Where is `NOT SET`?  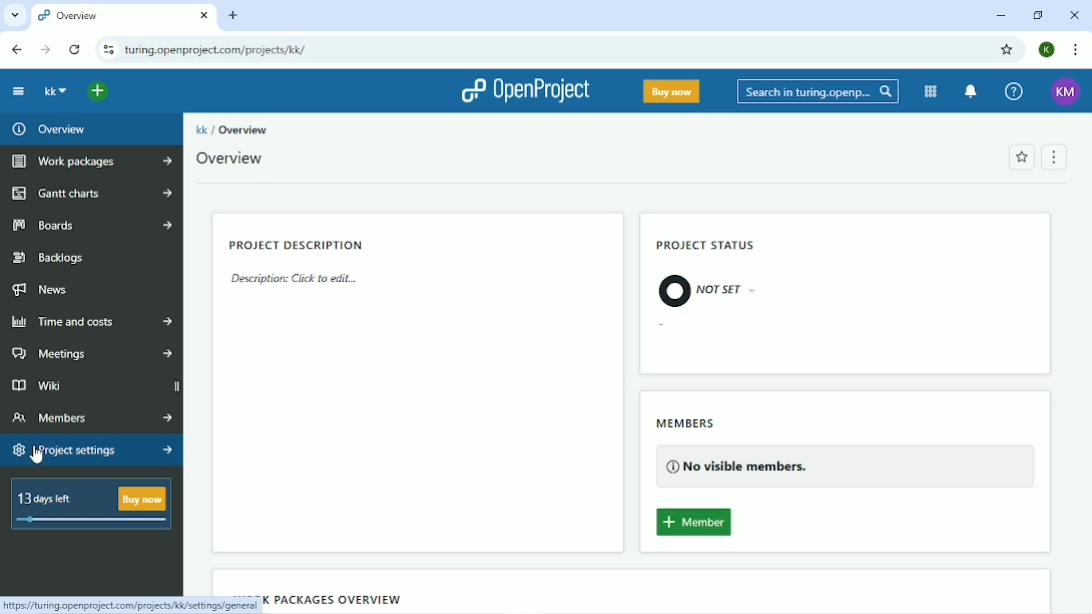 NOT SET is located at coordinates (707, 290).